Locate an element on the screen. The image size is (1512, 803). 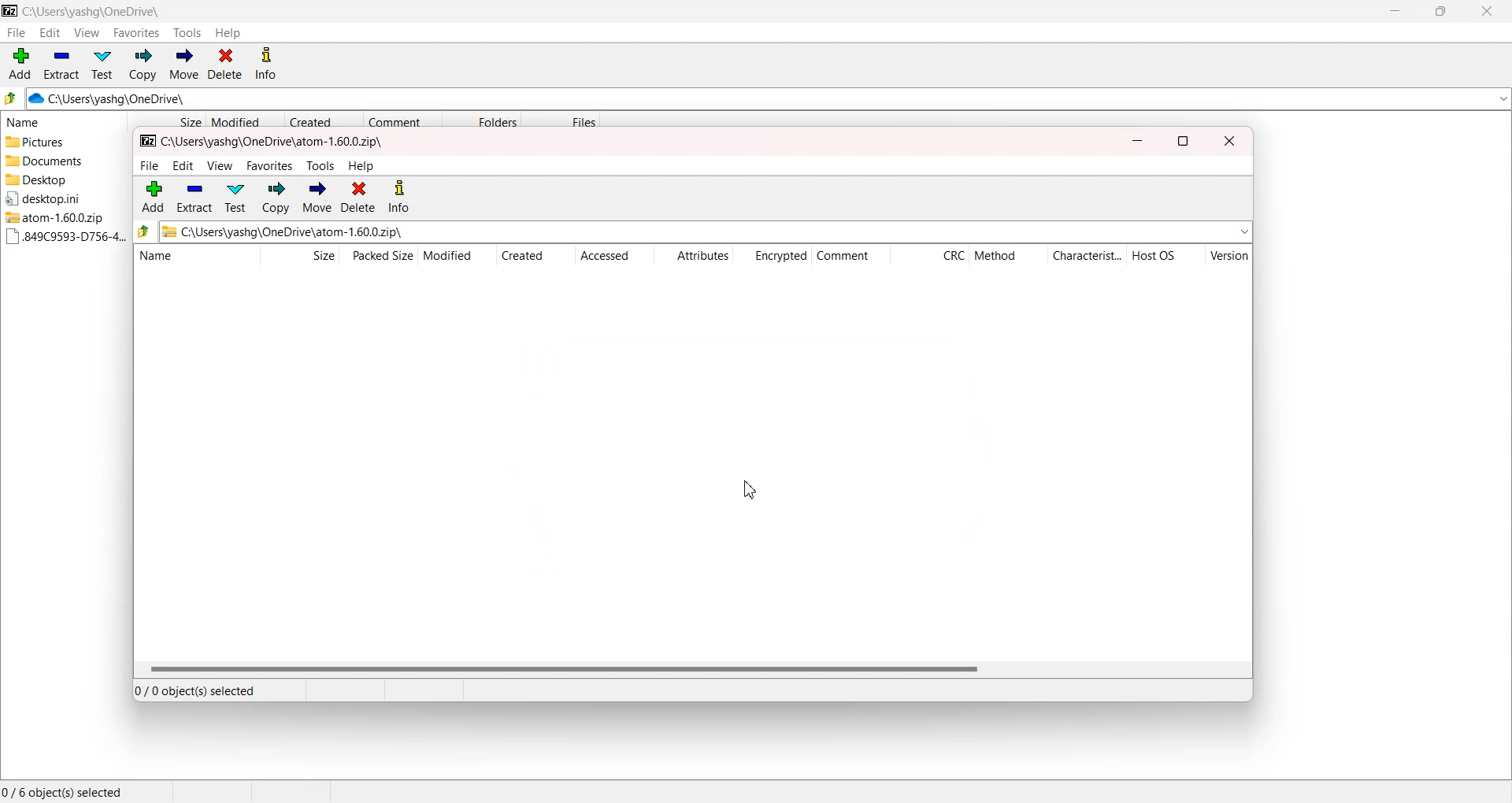
Comment is located at coordinates (849, 257).